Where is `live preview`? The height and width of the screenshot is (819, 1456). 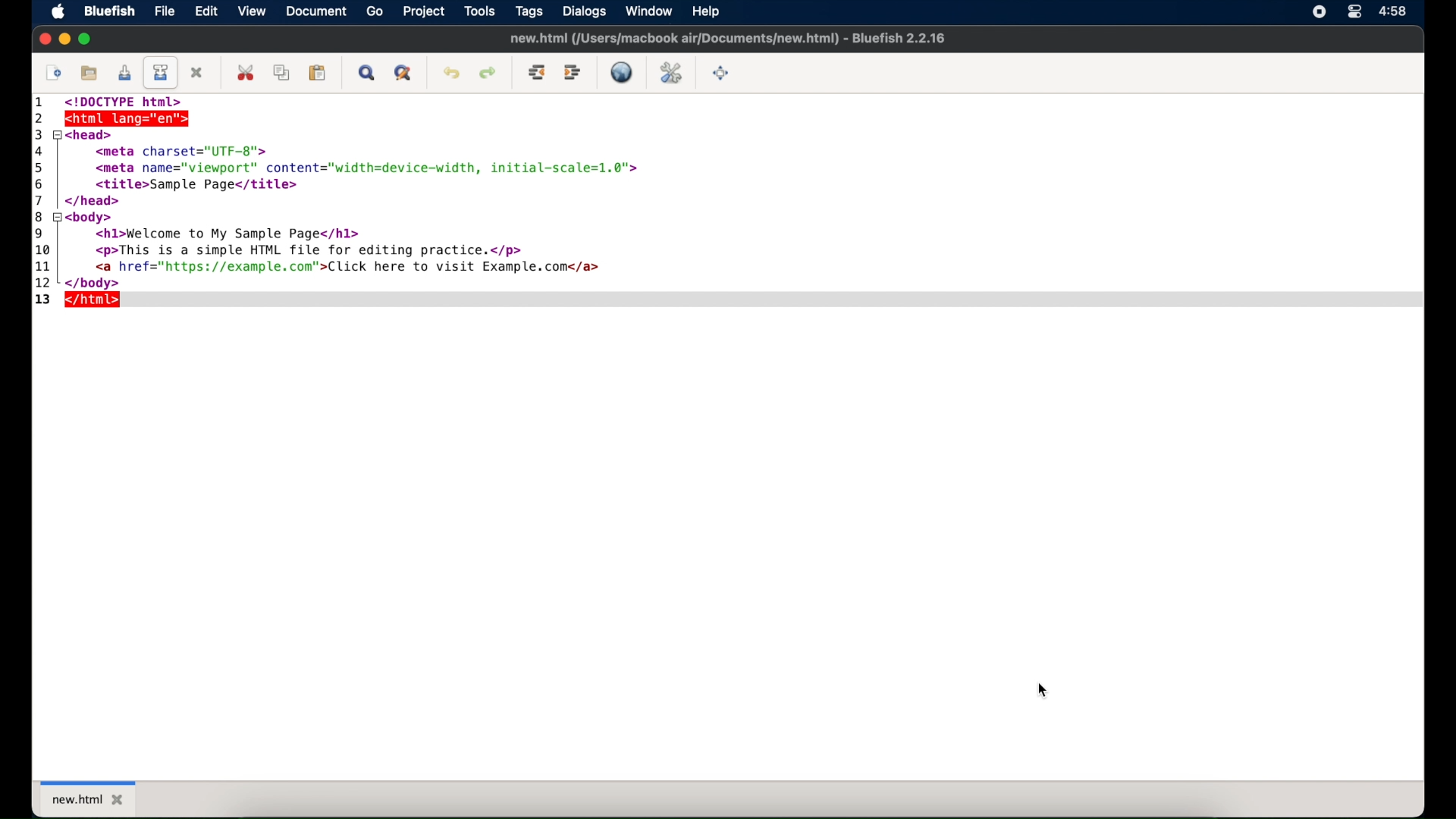
live preview is located at coordinates (621, 72).